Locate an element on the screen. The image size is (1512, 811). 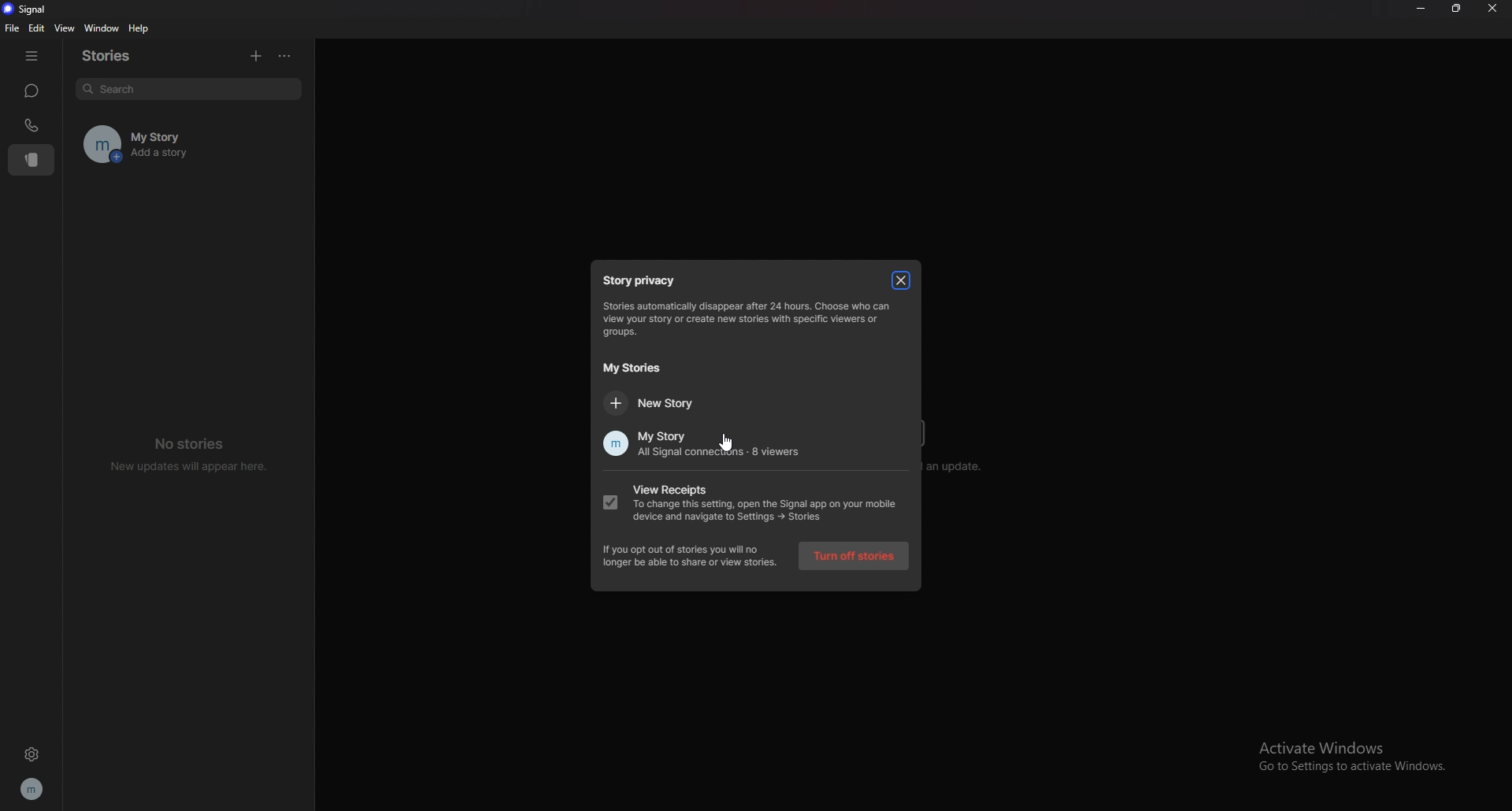
new story is located at coordinates (665, 403).